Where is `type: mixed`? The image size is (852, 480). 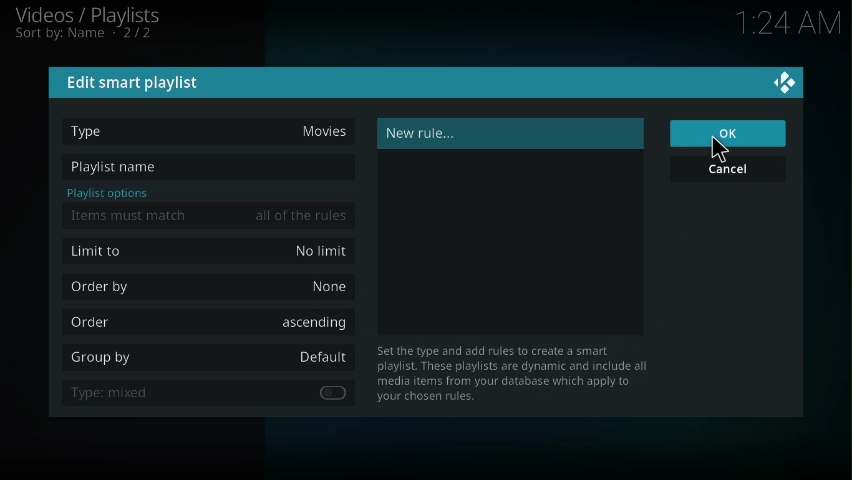 type: mixed is located at coordinates (109, 392).